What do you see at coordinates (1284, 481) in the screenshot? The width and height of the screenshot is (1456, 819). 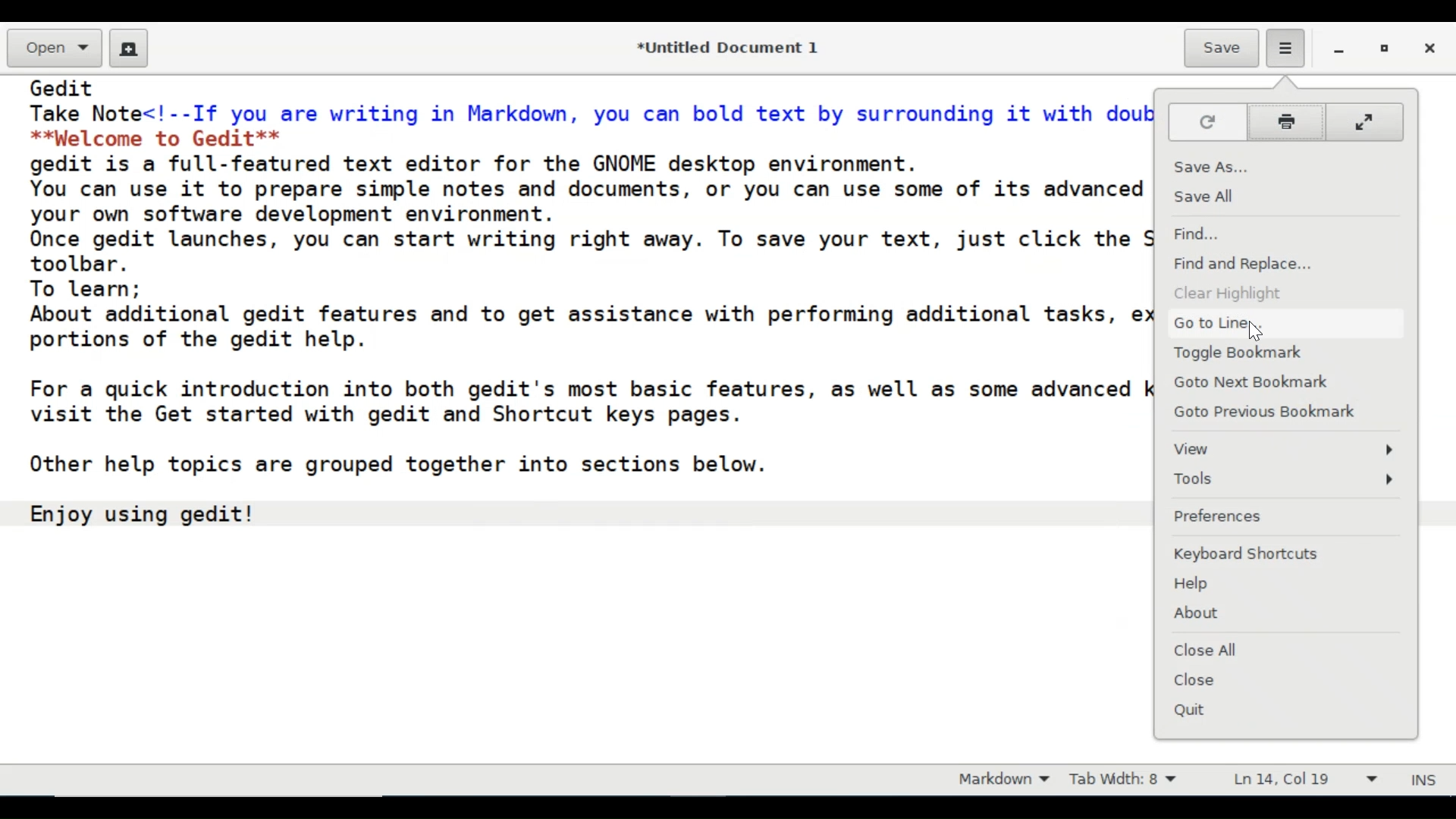 I see `Tools` at bounding box center [1284, 481].